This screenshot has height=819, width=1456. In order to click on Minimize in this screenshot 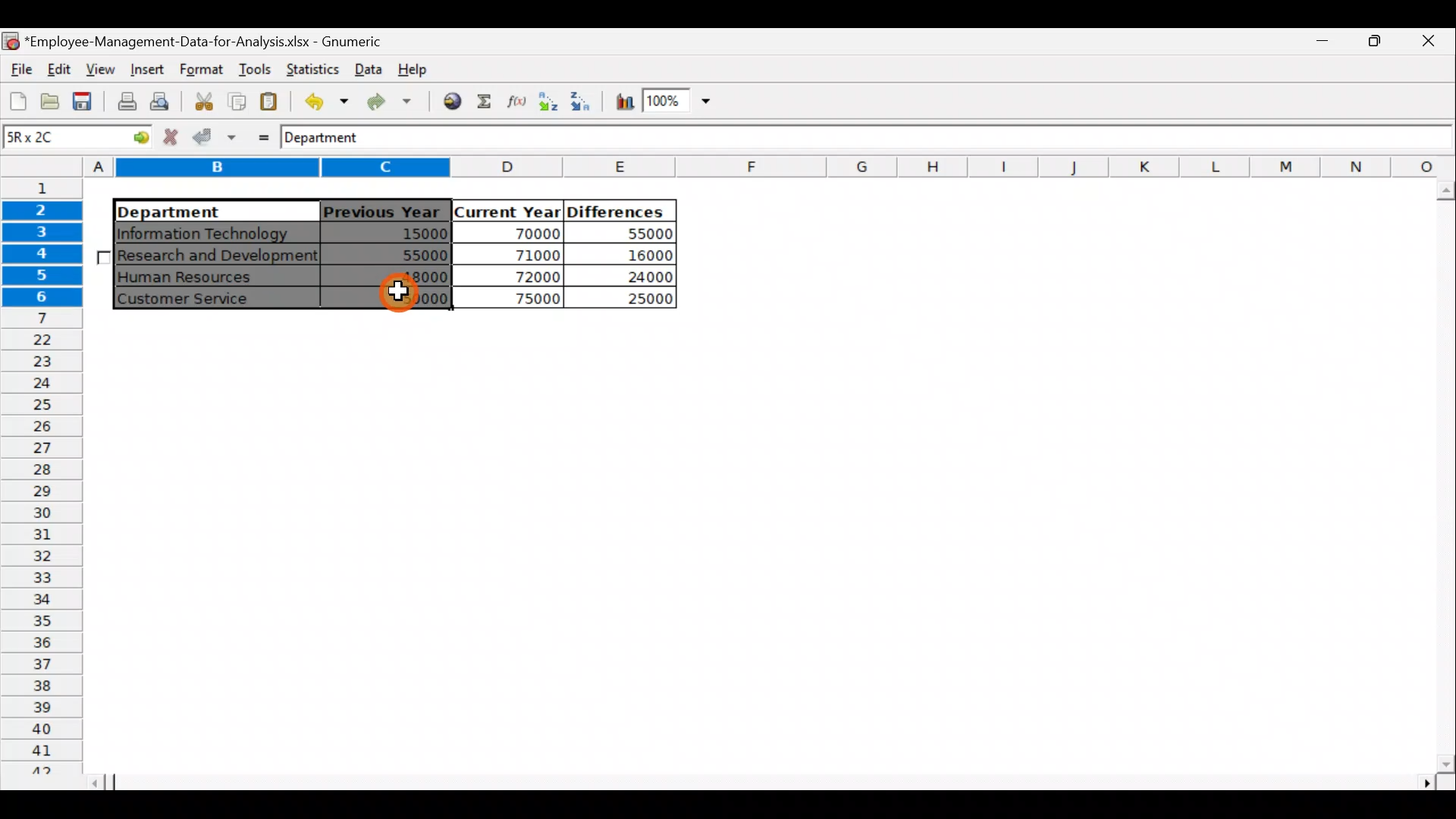, I will do `click(1376, 46)`.